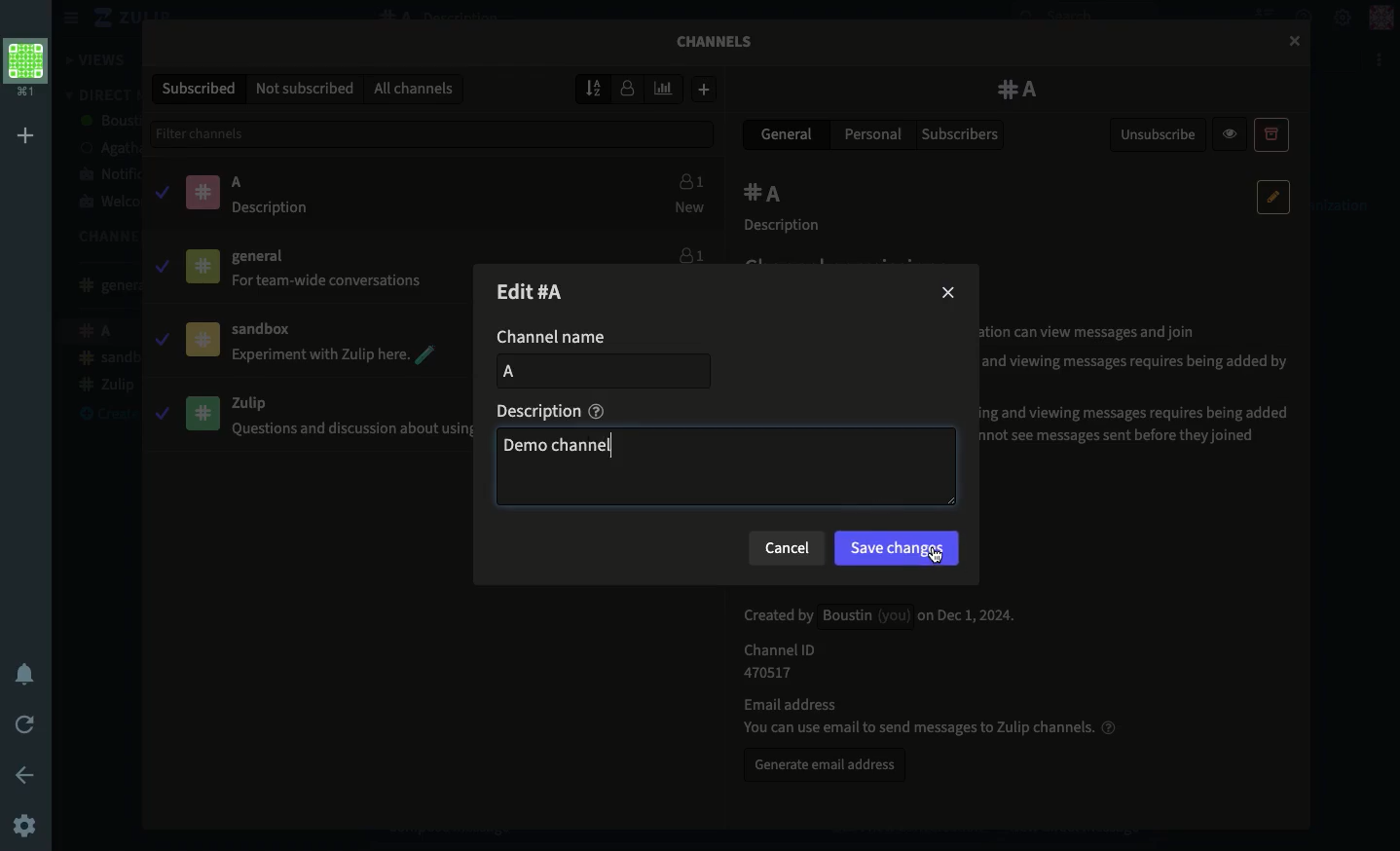  What do you see at coordinates (1094, 331) in the screenshot?
I see `® Public: Members of your organization can view messages and join` at bounding box center [1094, 331].